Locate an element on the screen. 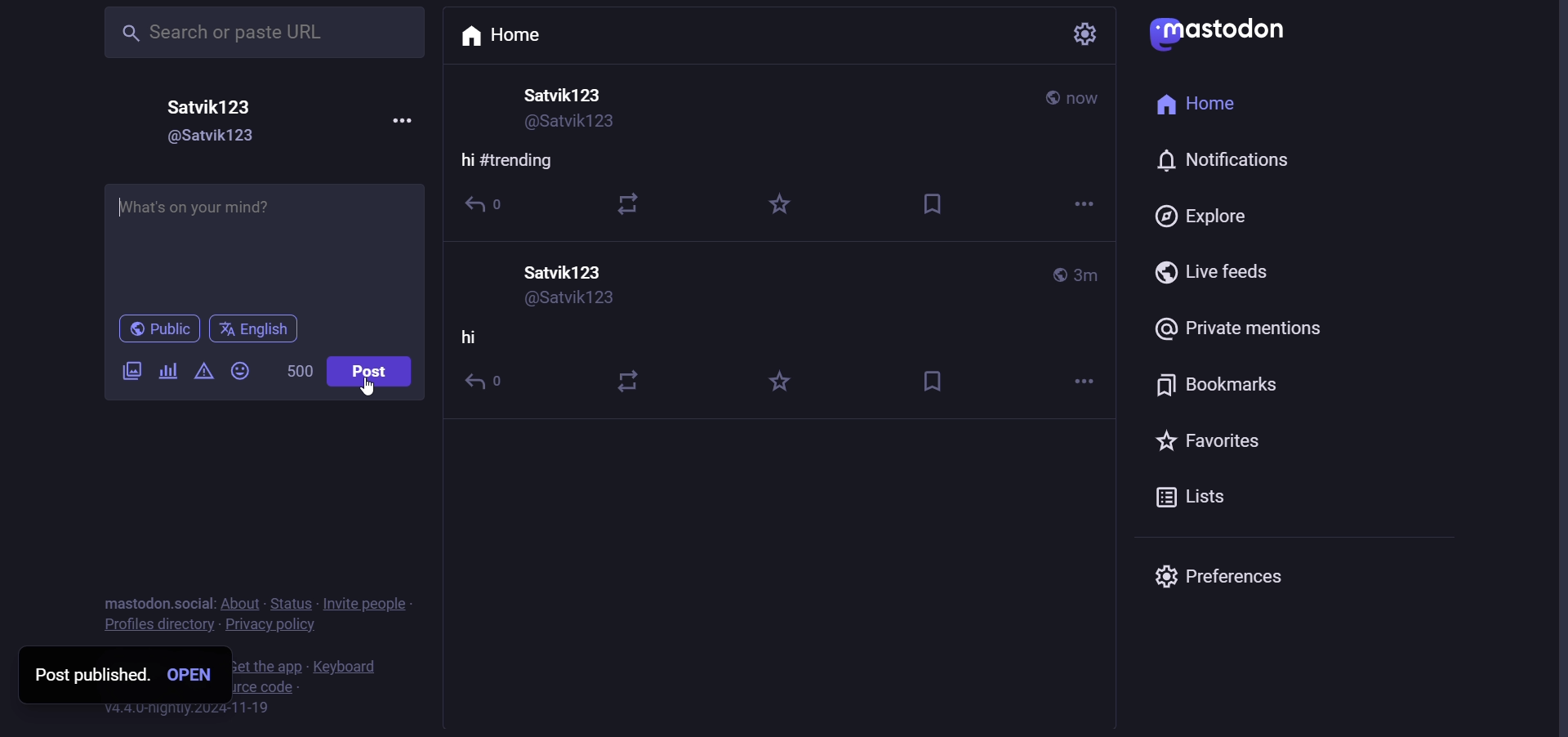 Image resolution: width=1568 pixels, height=737 pixels. bookmark is located at coordinates (929, 386).